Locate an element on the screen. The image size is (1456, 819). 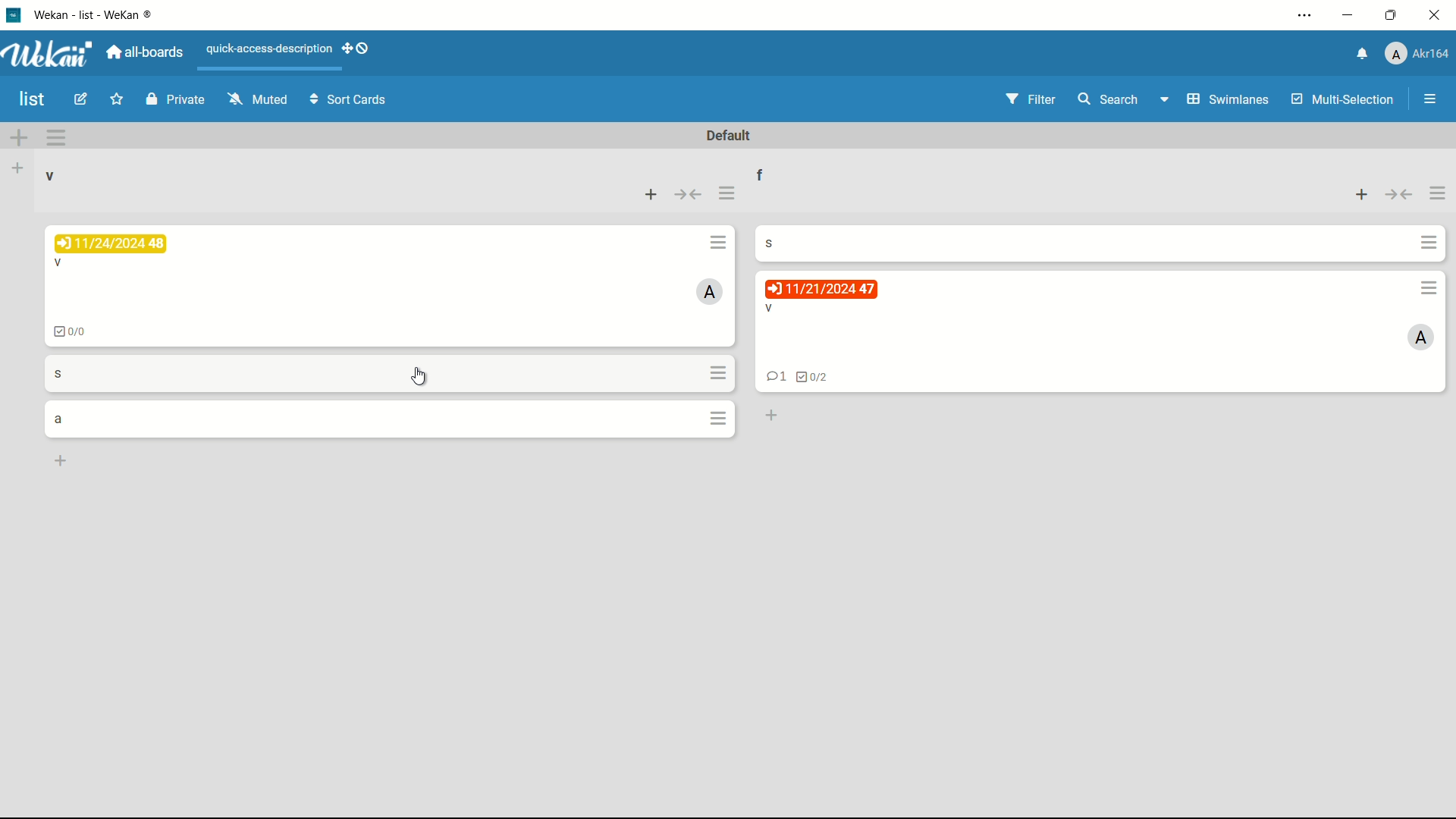
card actions is located at coordinates (1430, 243).